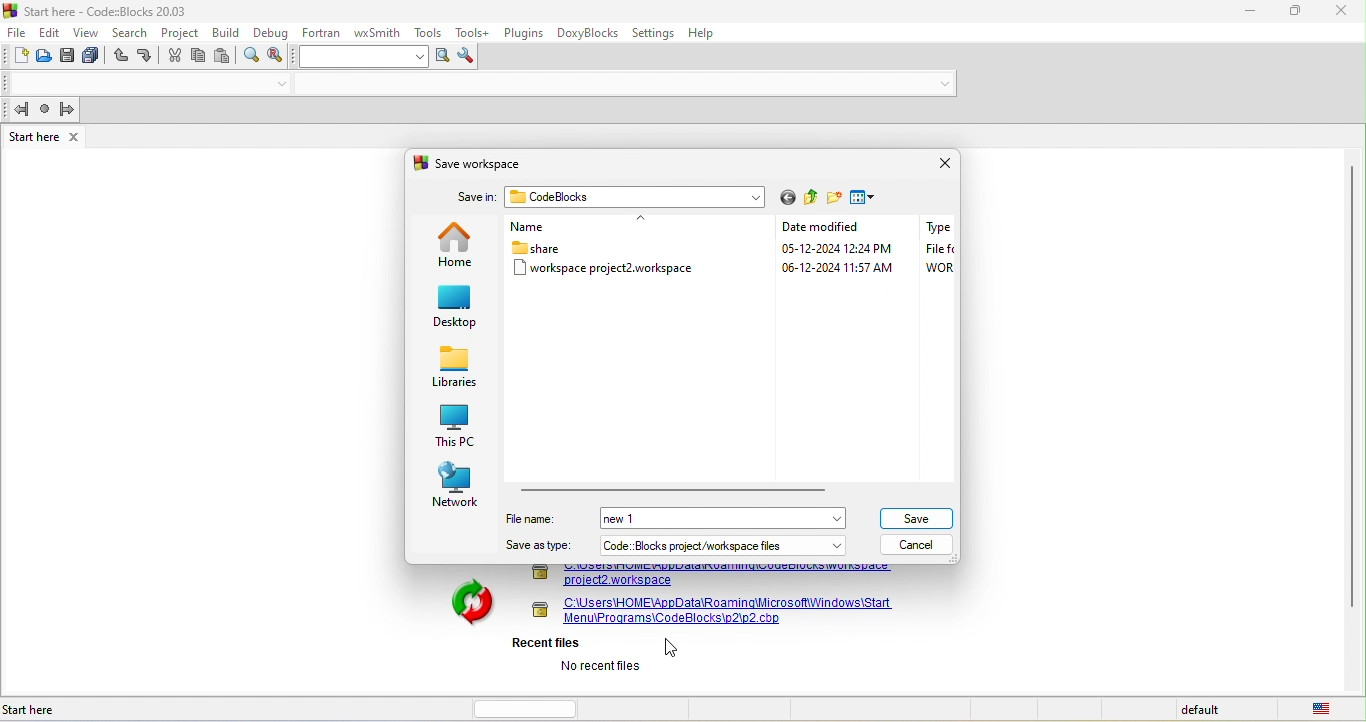 The image size is (1366, 722). I want to click on Start here, so click(33, 710).